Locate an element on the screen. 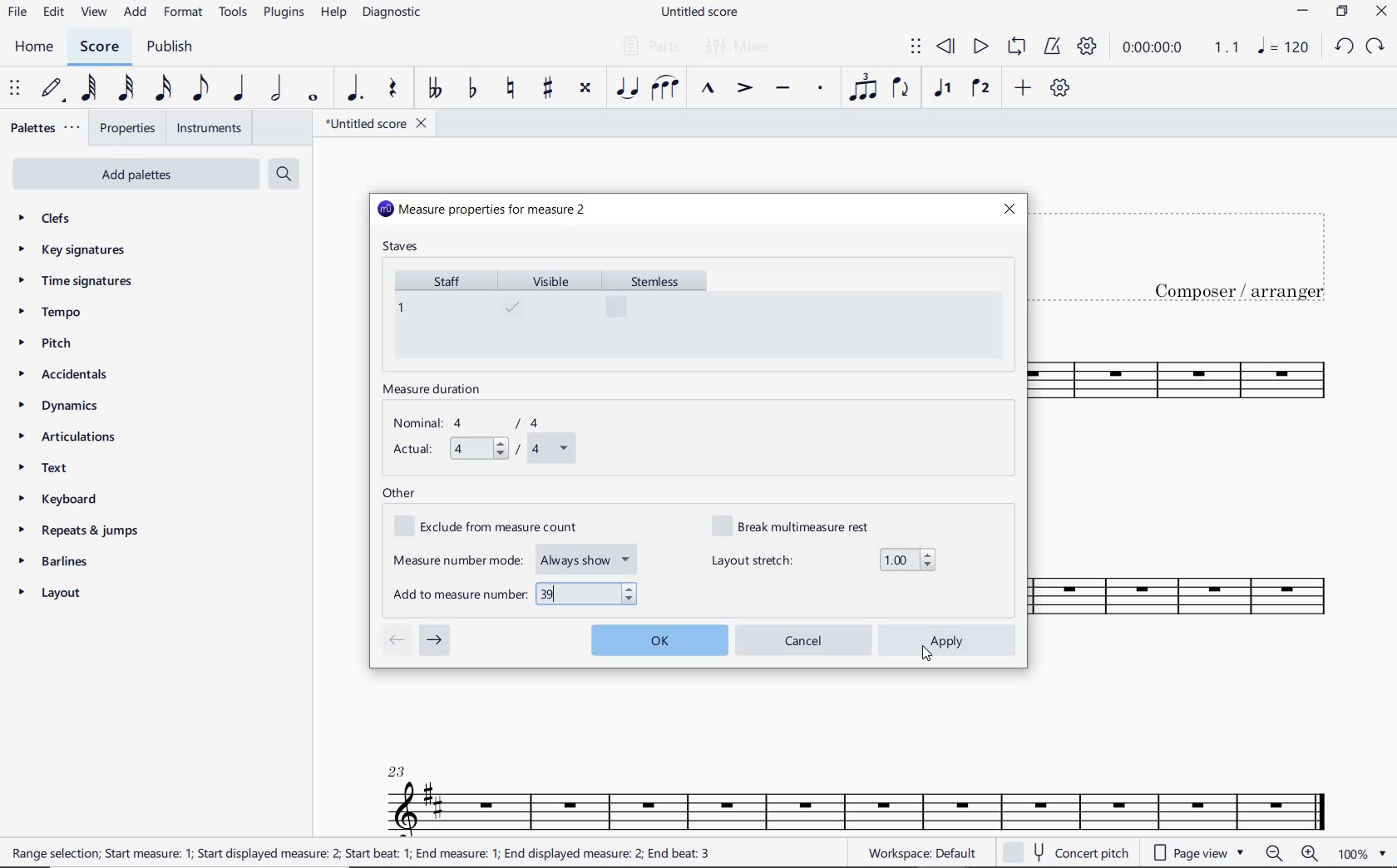  TUPLET is located at coordinates (865, 87).